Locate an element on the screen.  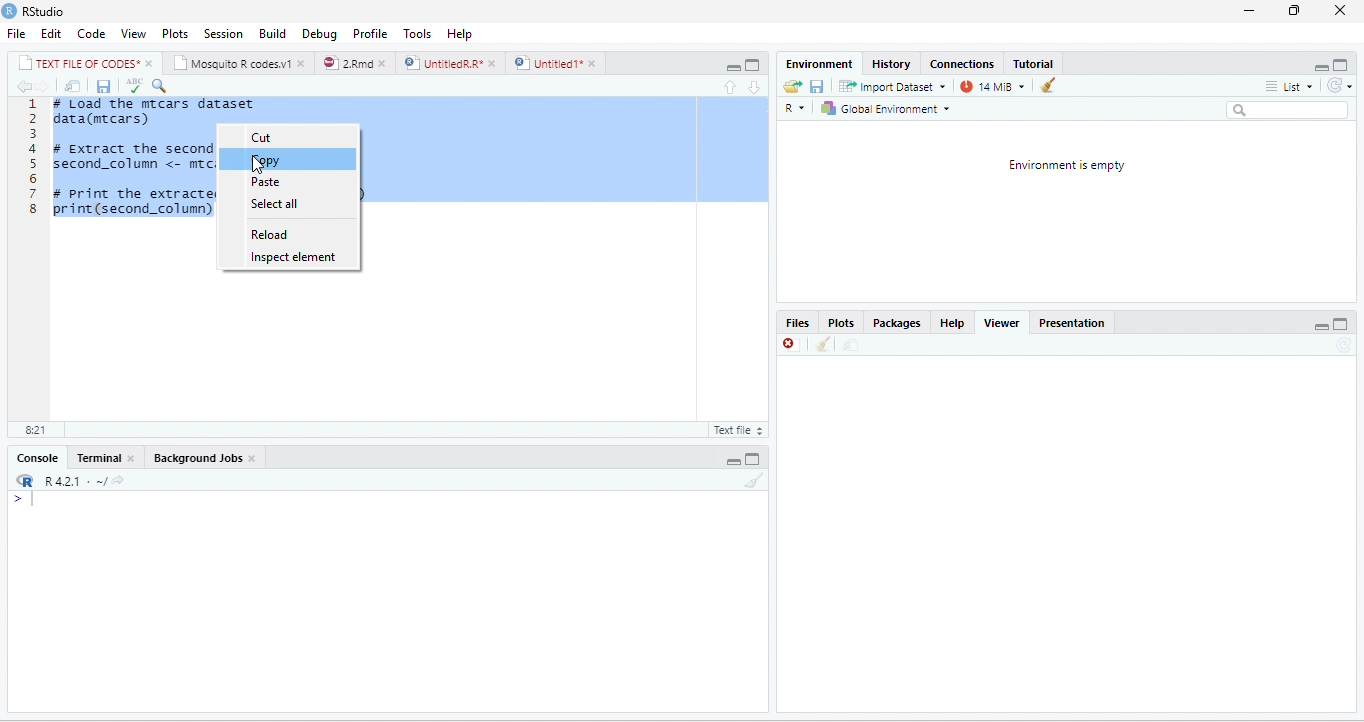
help is located at coordinates (952, 324).